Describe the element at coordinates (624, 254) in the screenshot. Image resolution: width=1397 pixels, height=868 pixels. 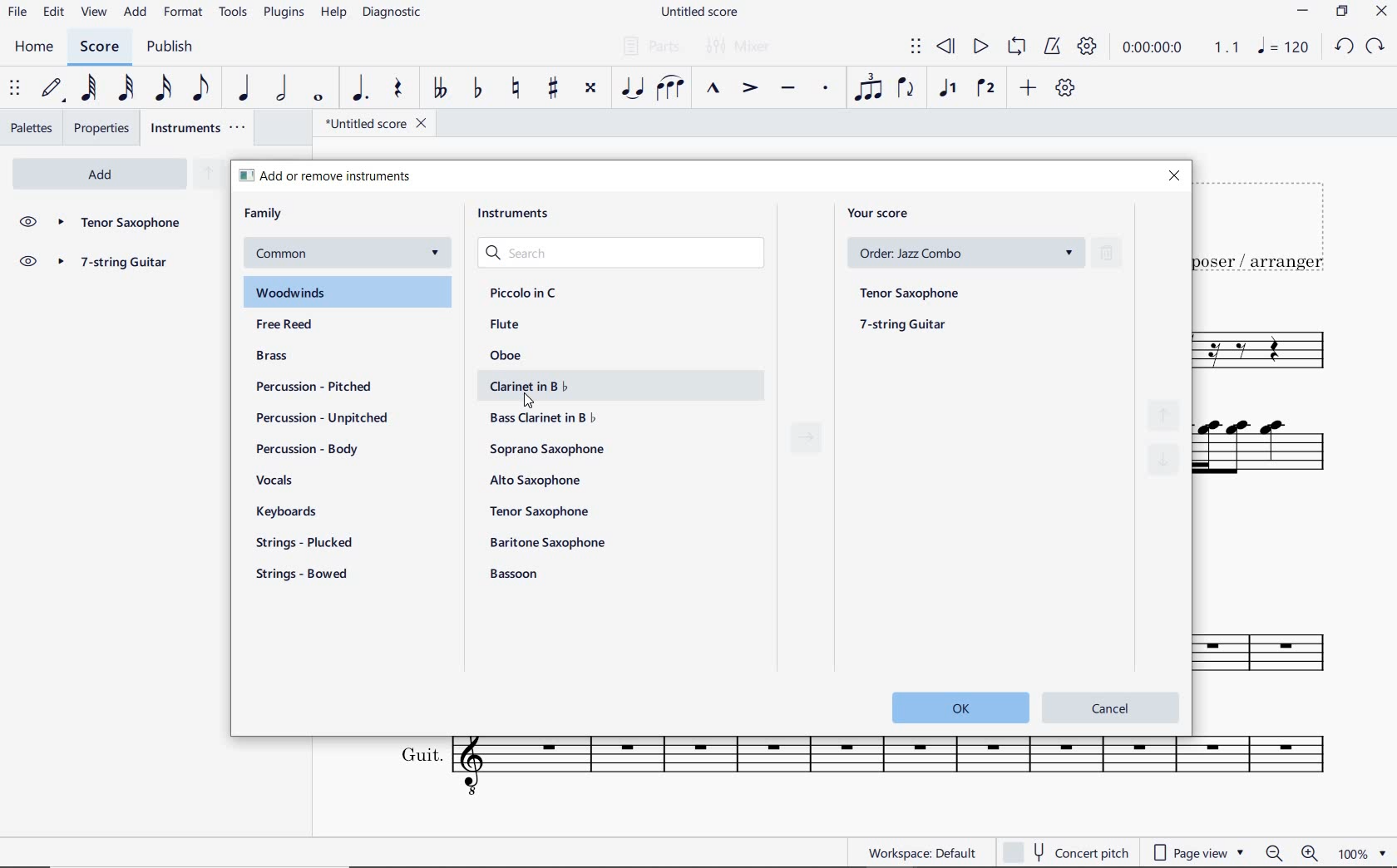
I see `search` at that location.